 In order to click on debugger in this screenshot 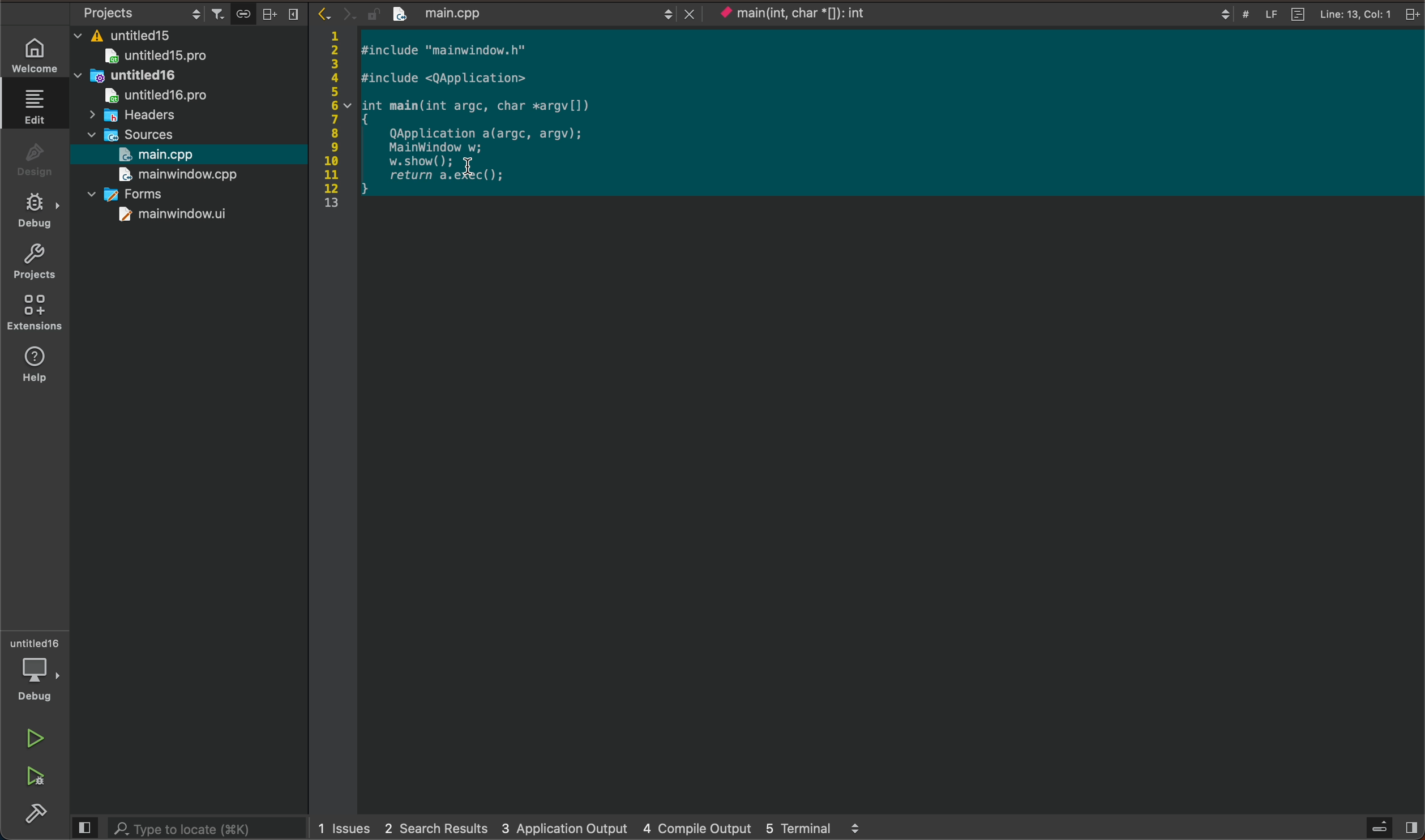, I will do `click(33, 670)`.